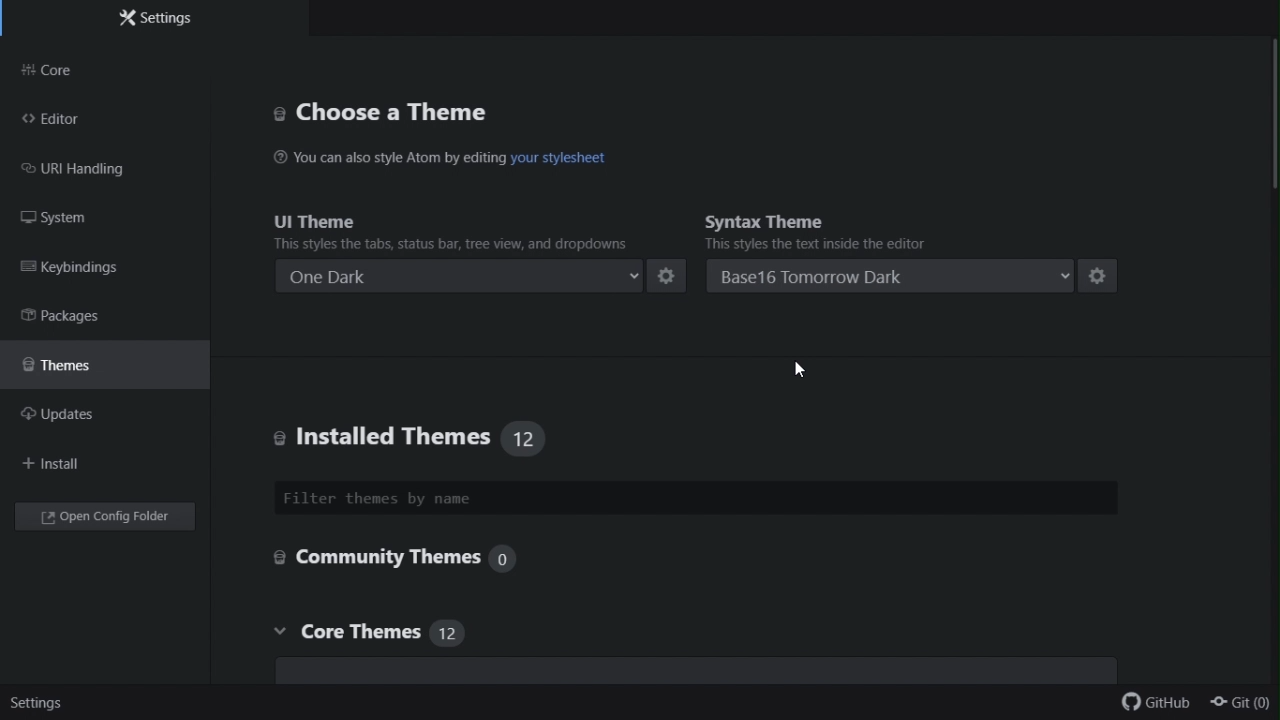  What do you see at coordinates (107, 517) in the screenshot?
I see `Open config folder` at bounding box center [107, 517].